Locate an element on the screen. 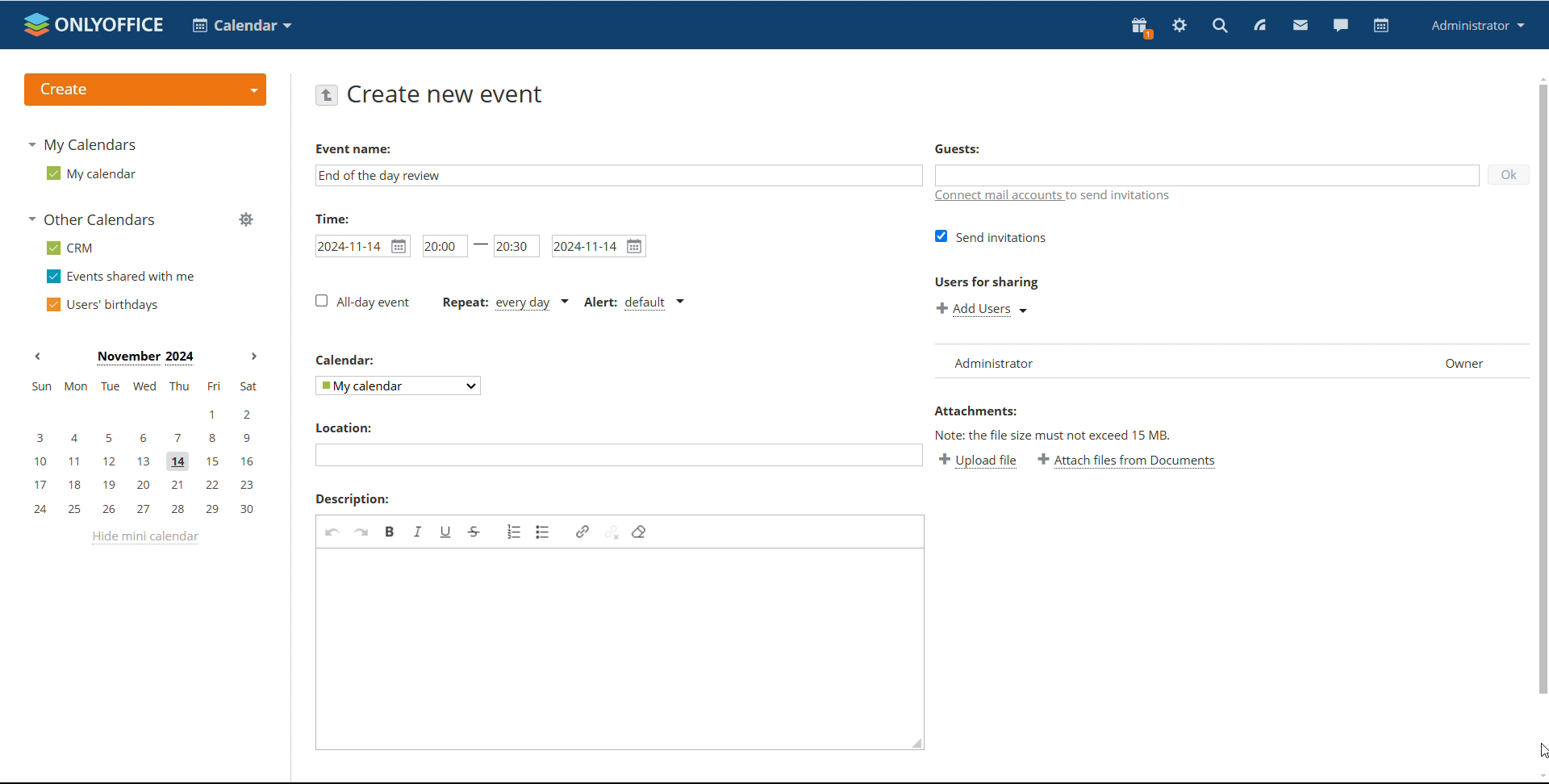 The width and height of the screenshot is (1549, 784). redo is located at coordinates (361, 532).